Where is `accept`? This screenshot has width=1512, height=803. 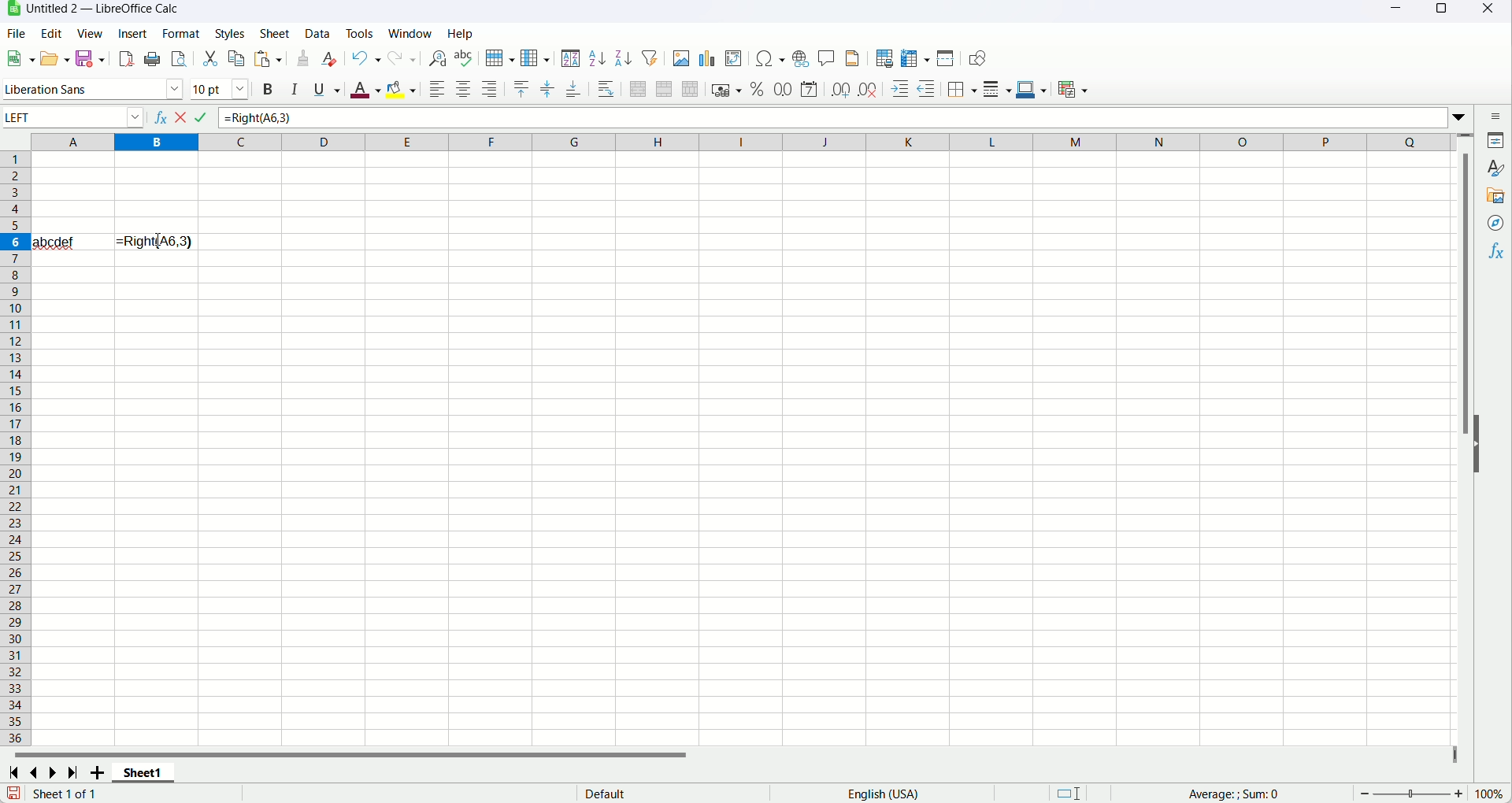
accept is located at coordinates (203, 117).